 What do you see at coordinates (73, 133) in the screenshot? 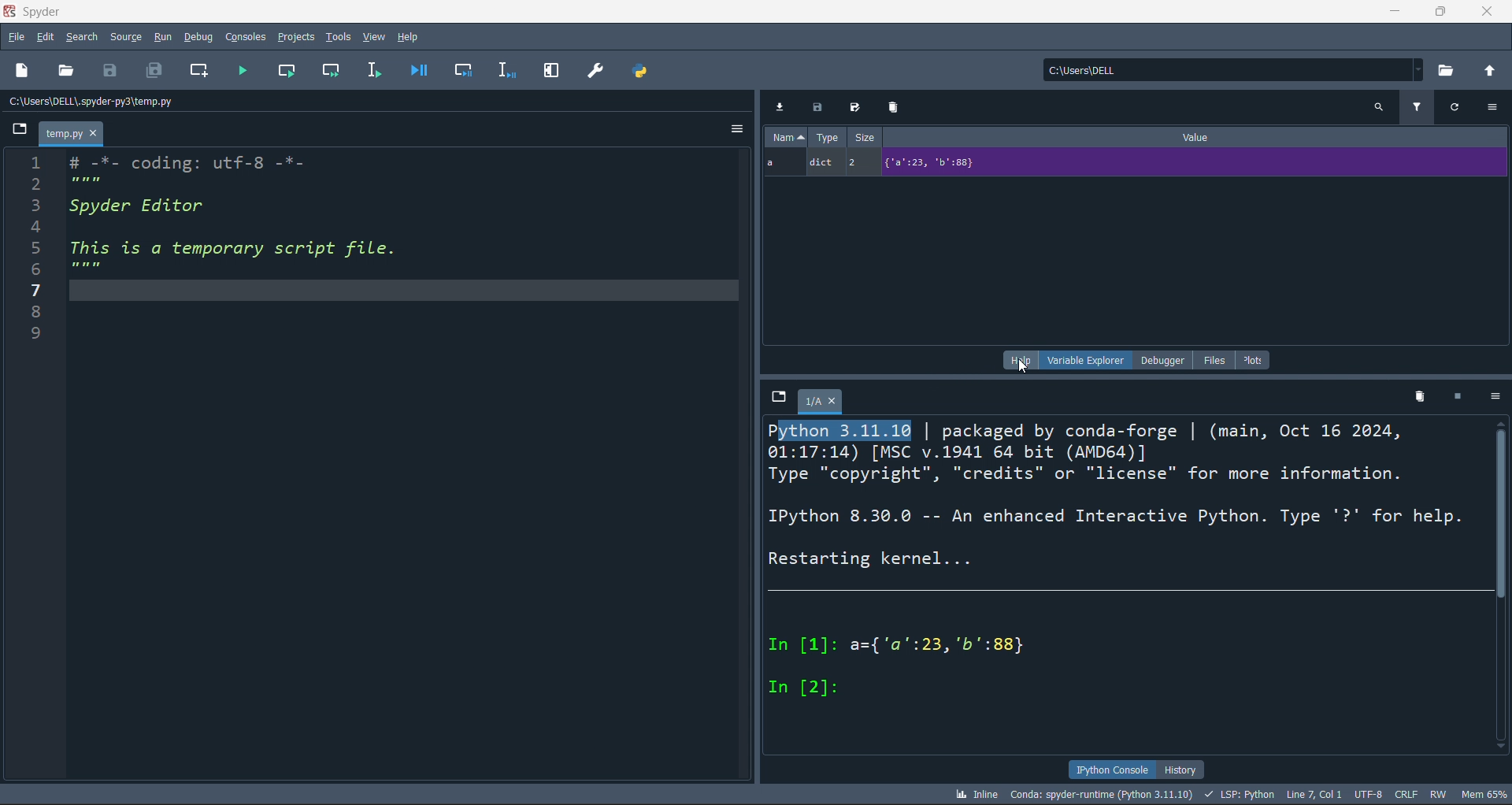
I see `temp.py` at bounding box center [73, 133].